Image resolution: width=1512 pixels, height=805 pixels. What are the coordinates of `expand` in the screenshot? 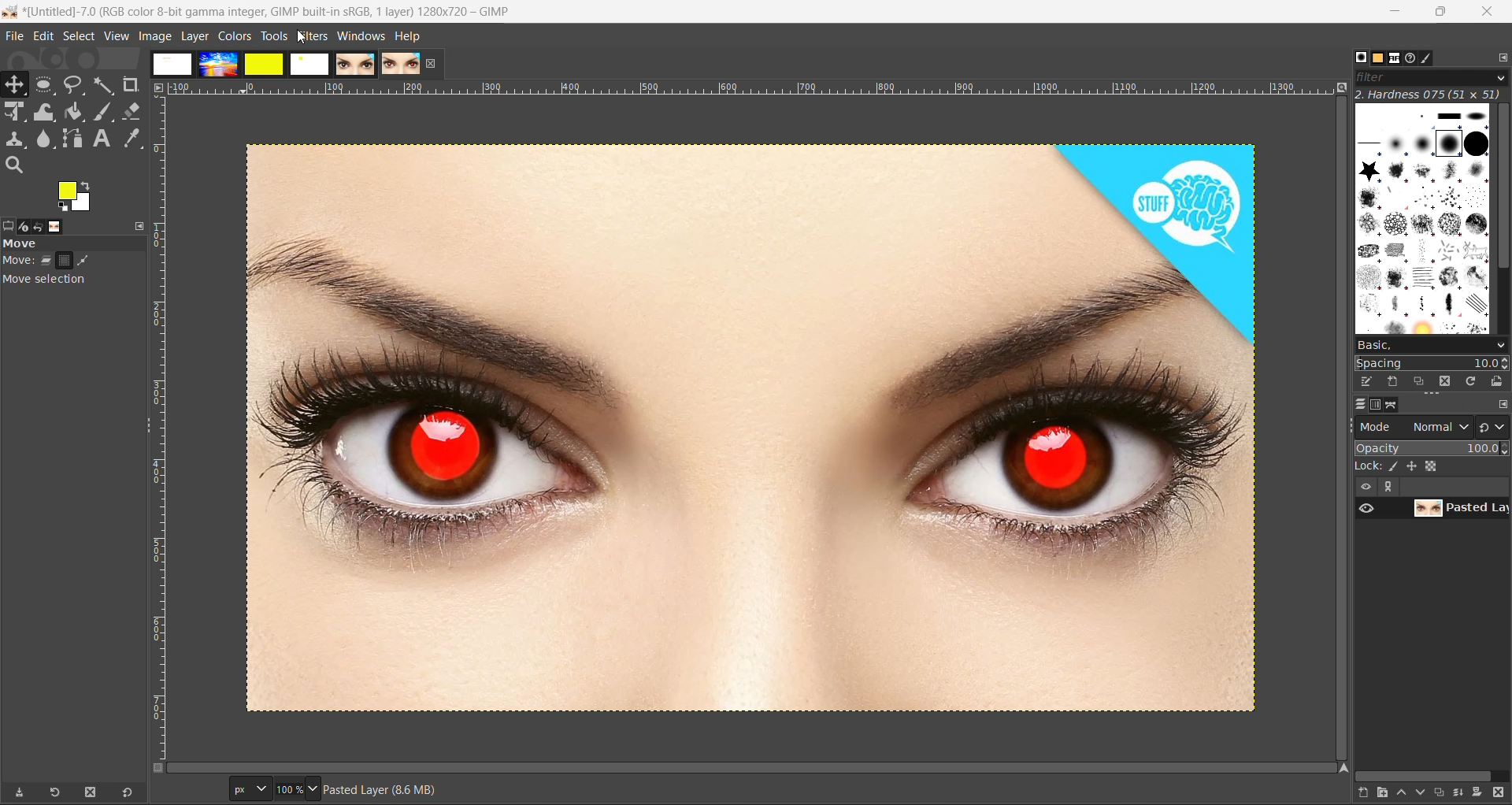 It's located at (1392, 487).